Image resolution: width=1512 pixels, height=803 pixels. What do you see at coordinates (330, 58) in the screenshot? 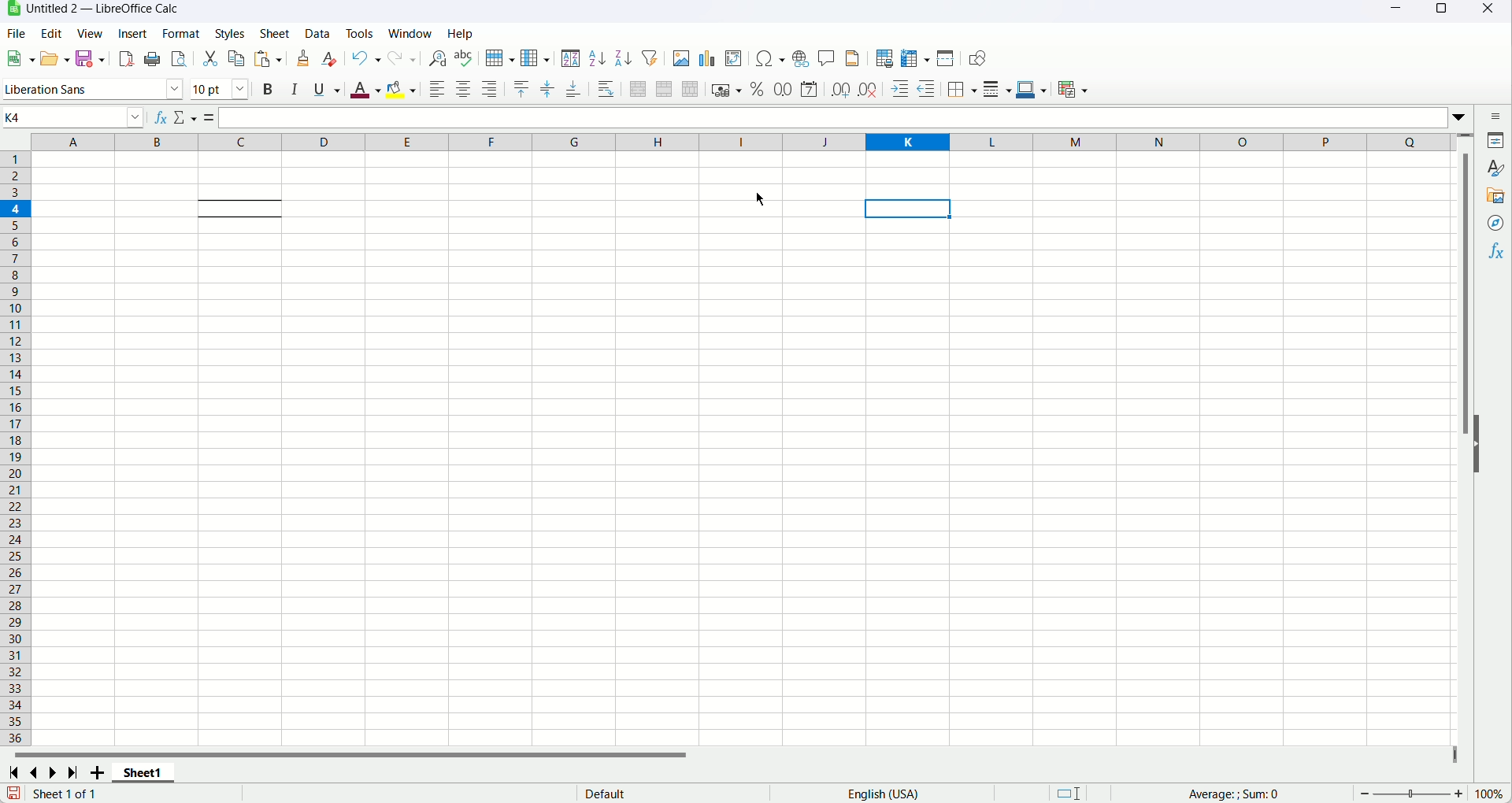
I see `Clear formatting` at bounding box center [330, 58].